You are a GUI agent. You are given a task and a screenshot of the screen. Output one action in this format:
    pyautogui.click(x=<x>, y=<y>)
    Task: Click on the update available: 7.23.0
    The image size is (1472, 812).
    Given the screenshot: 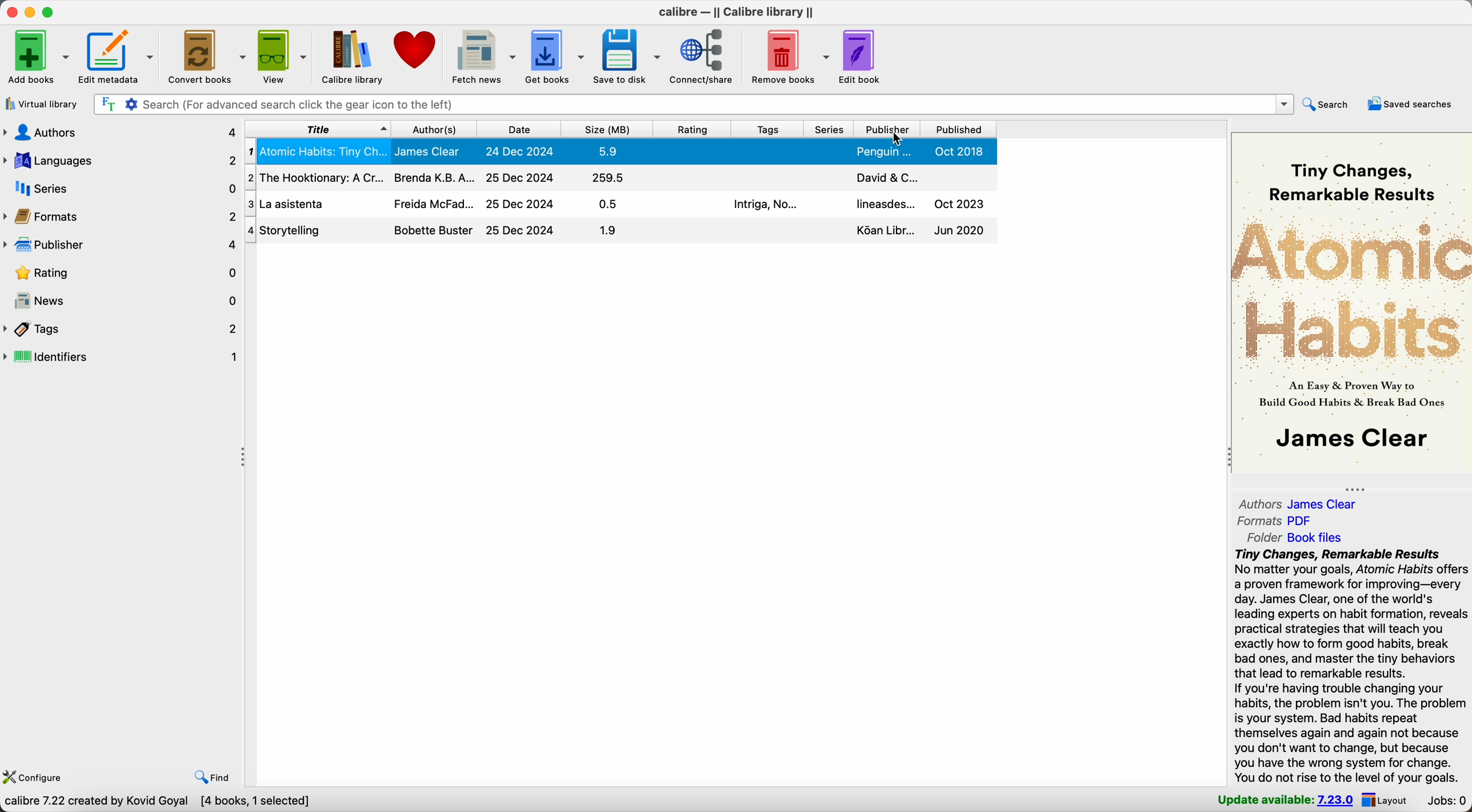 What is the action you would take?
    pyautogui.click(x=1282, y=800)
    